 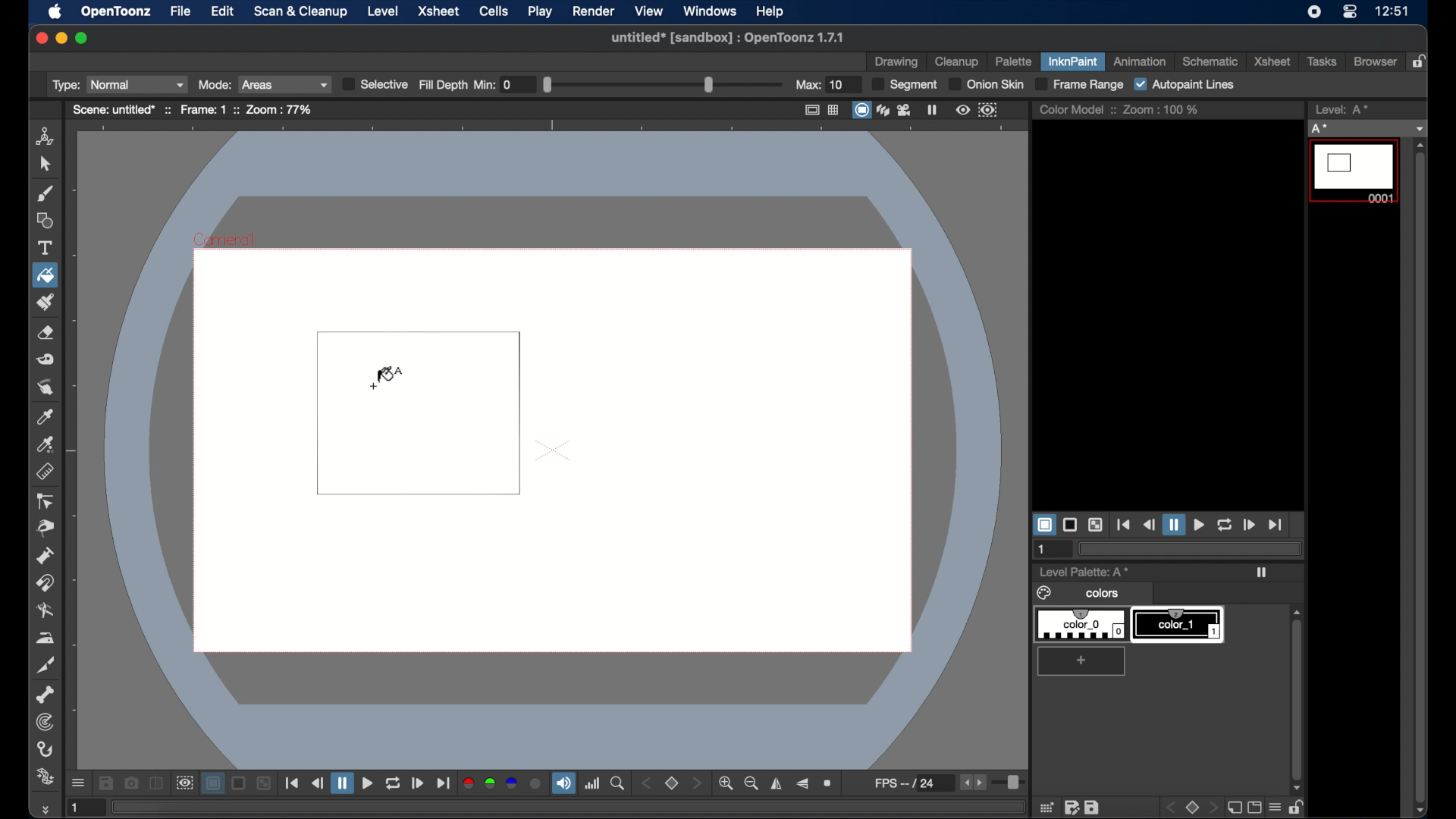 What do you see at coordinates (45, 472) in the screenshot?
I see `ruler tool` at bounding box center [45, 472].